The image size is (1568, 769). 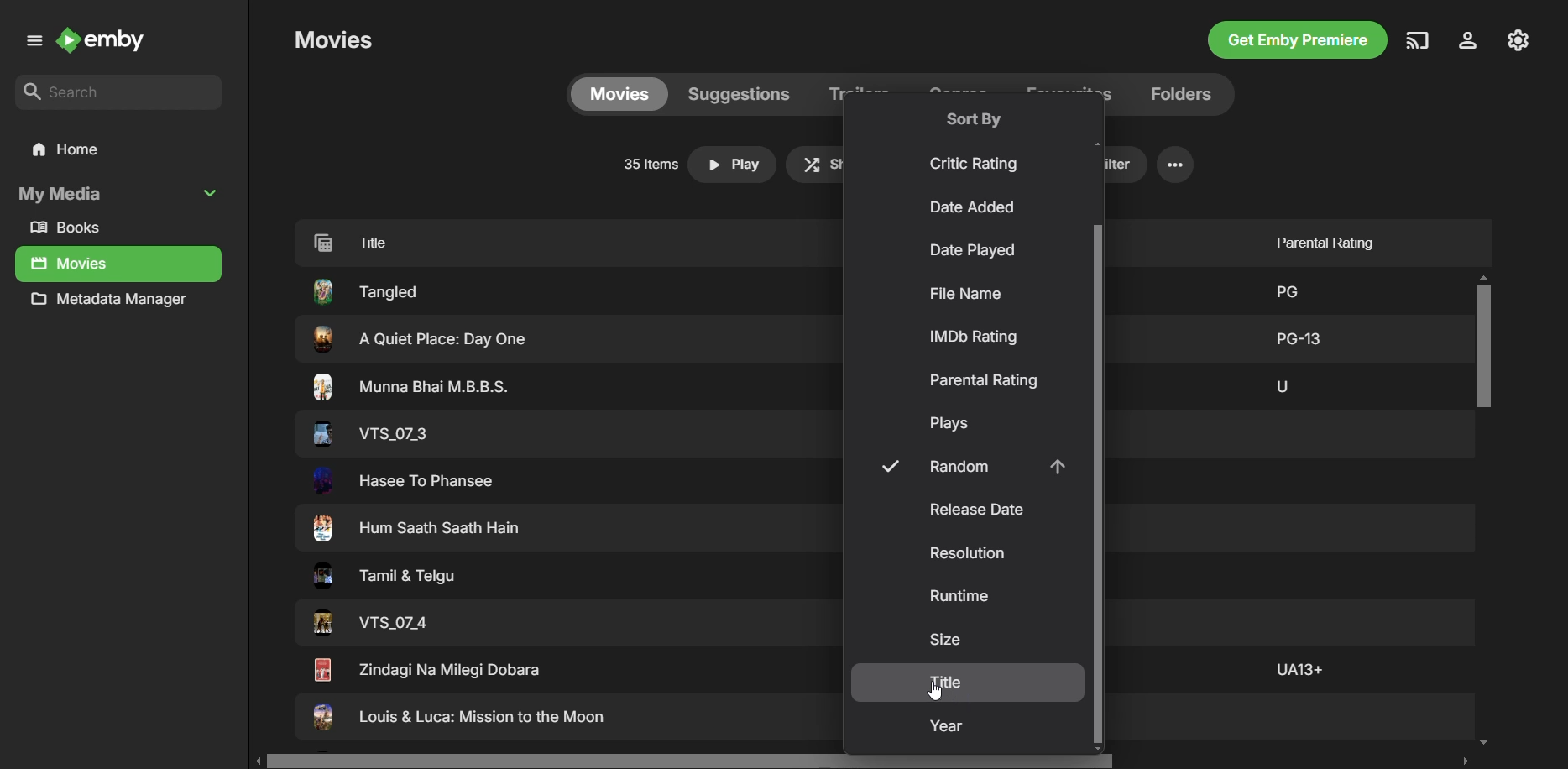 I want to click on Critic Rating, so click(x=977, y=164).